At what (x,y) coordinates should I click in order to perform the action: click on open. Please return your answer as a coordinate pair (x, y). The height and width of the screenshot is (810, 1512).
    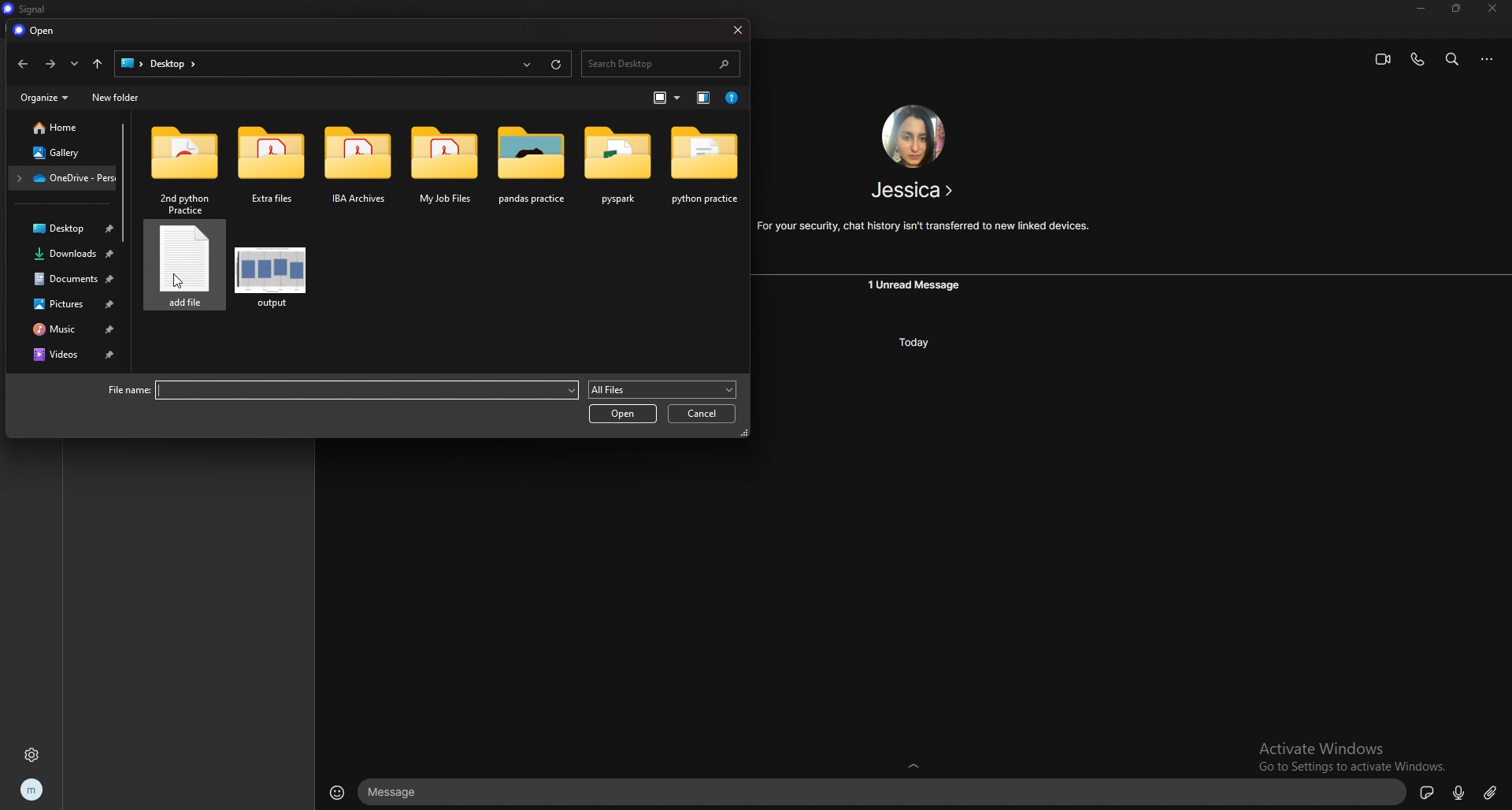
    Looking at the image, I should click on (35, 31).